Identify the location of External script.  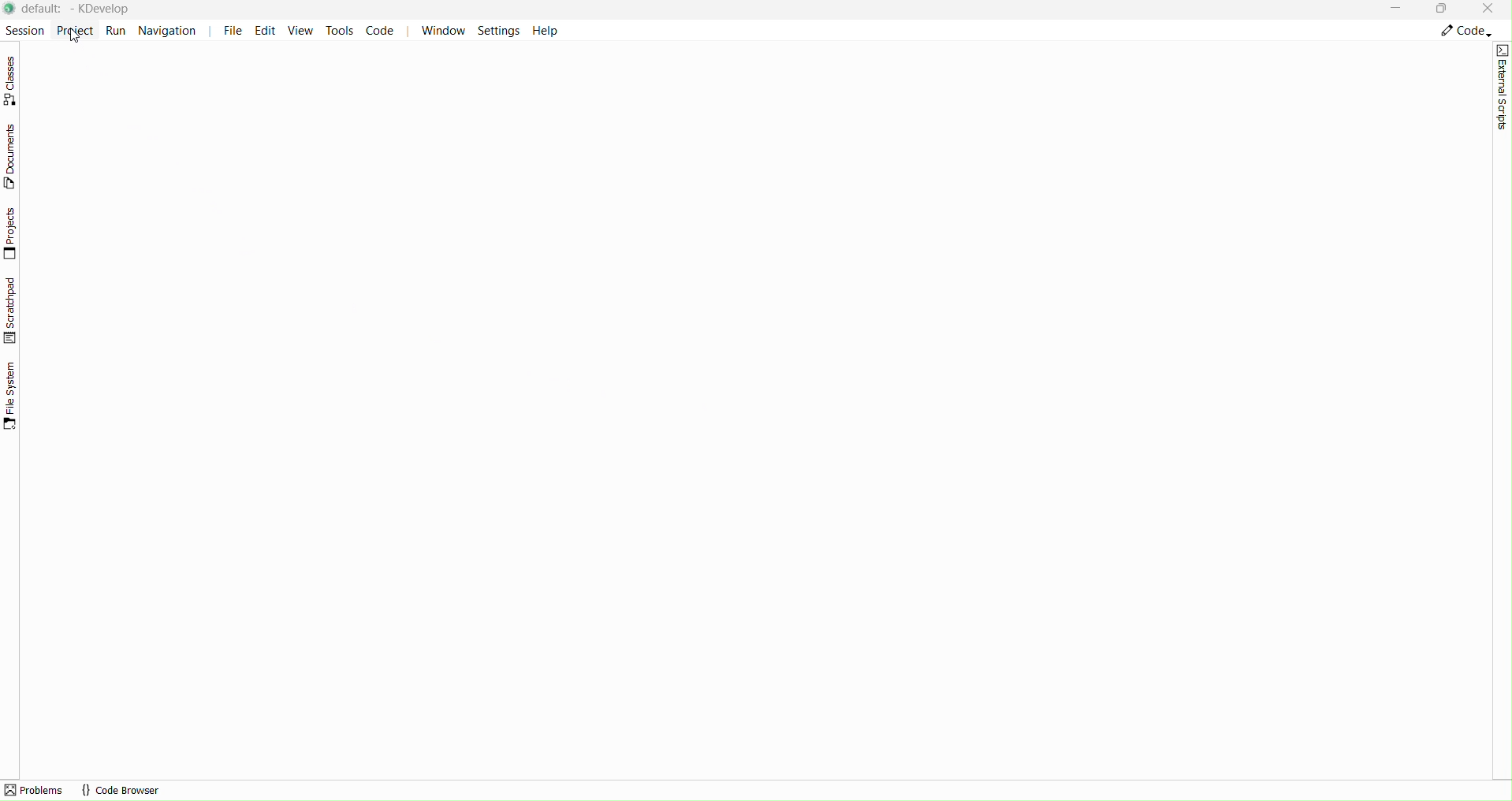
(1503, 87).